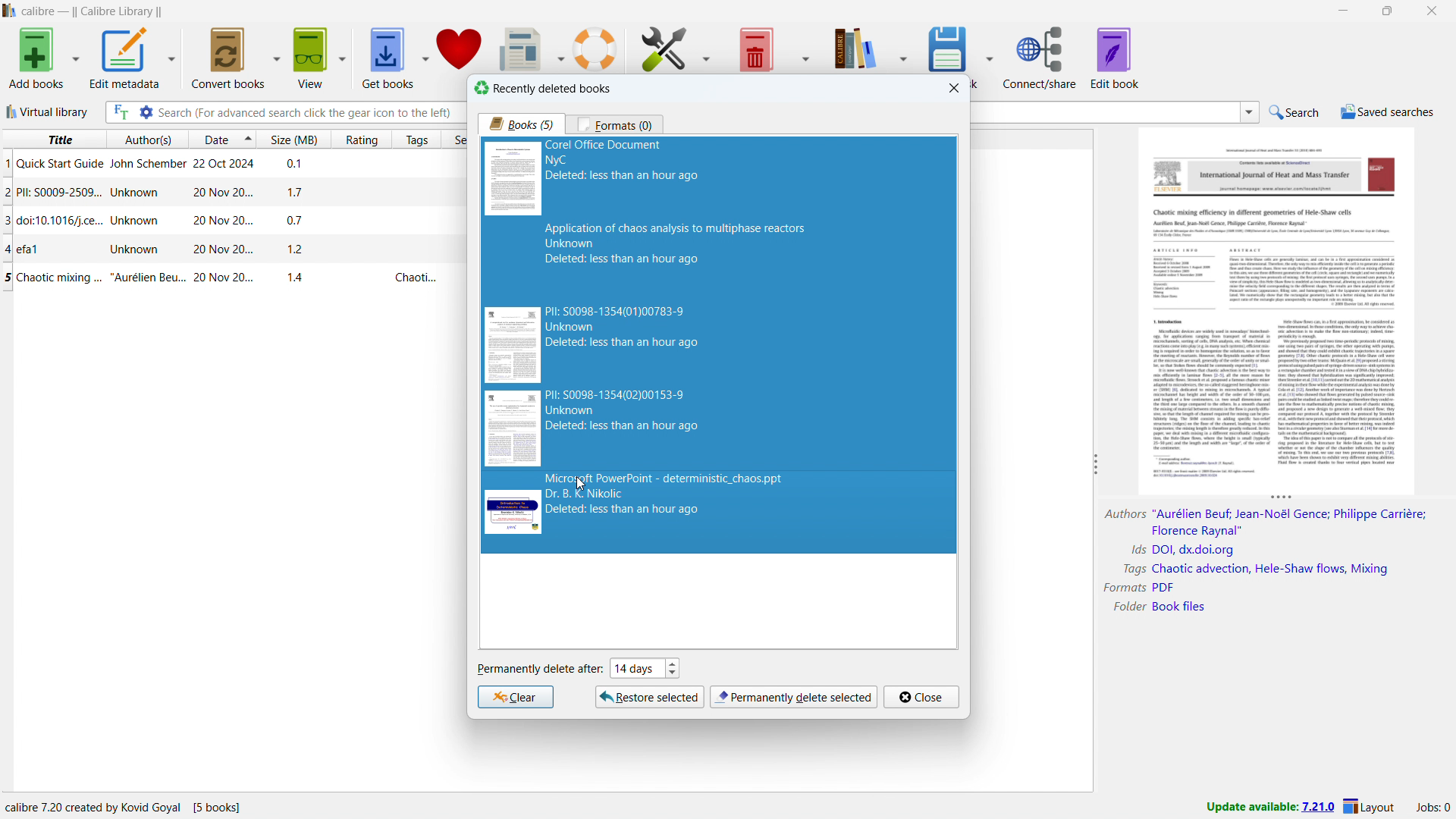  Describe the element at coordinates (1282, 498) in the screenshot. I see `resize` at that location.